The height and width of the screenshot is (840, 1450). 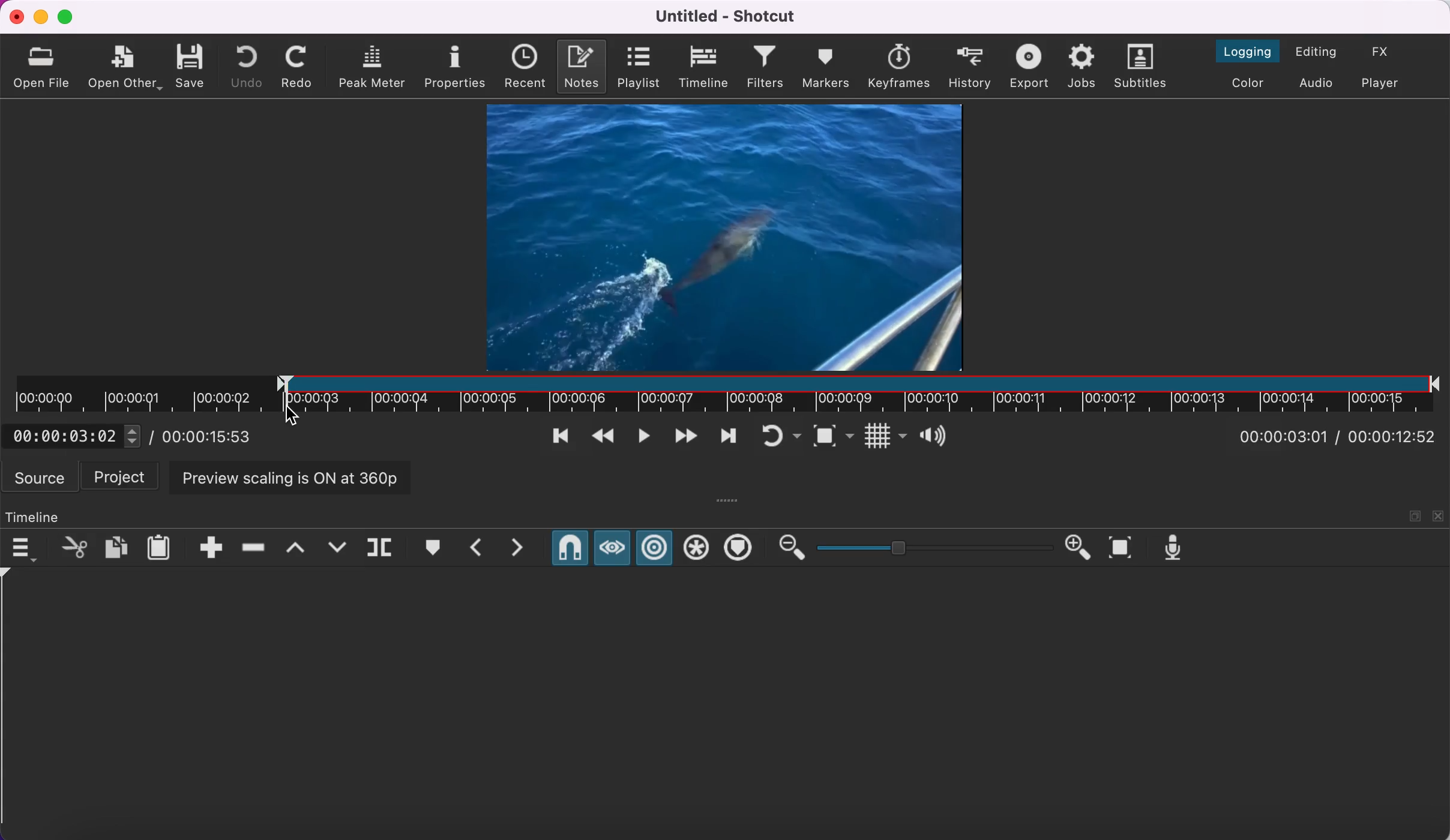 I want to click on open other, so click(x=126, y=68).